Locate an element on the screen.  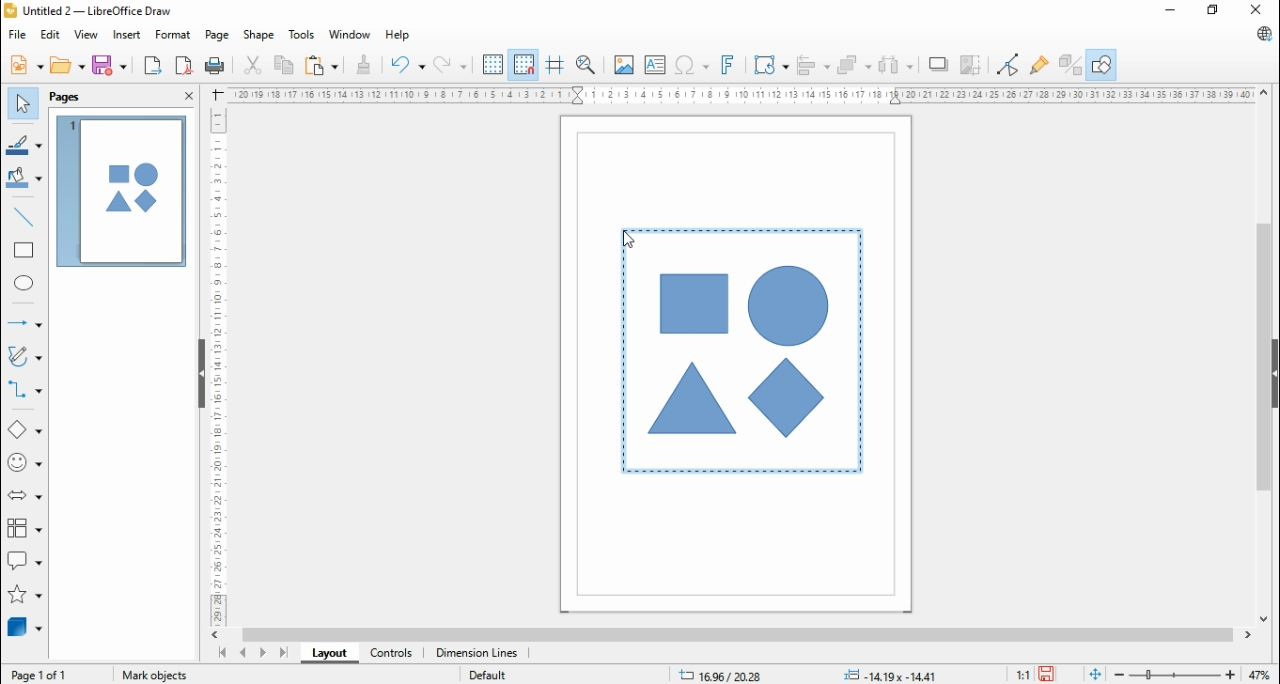
stars and banners is located at coordinates (26, 594).